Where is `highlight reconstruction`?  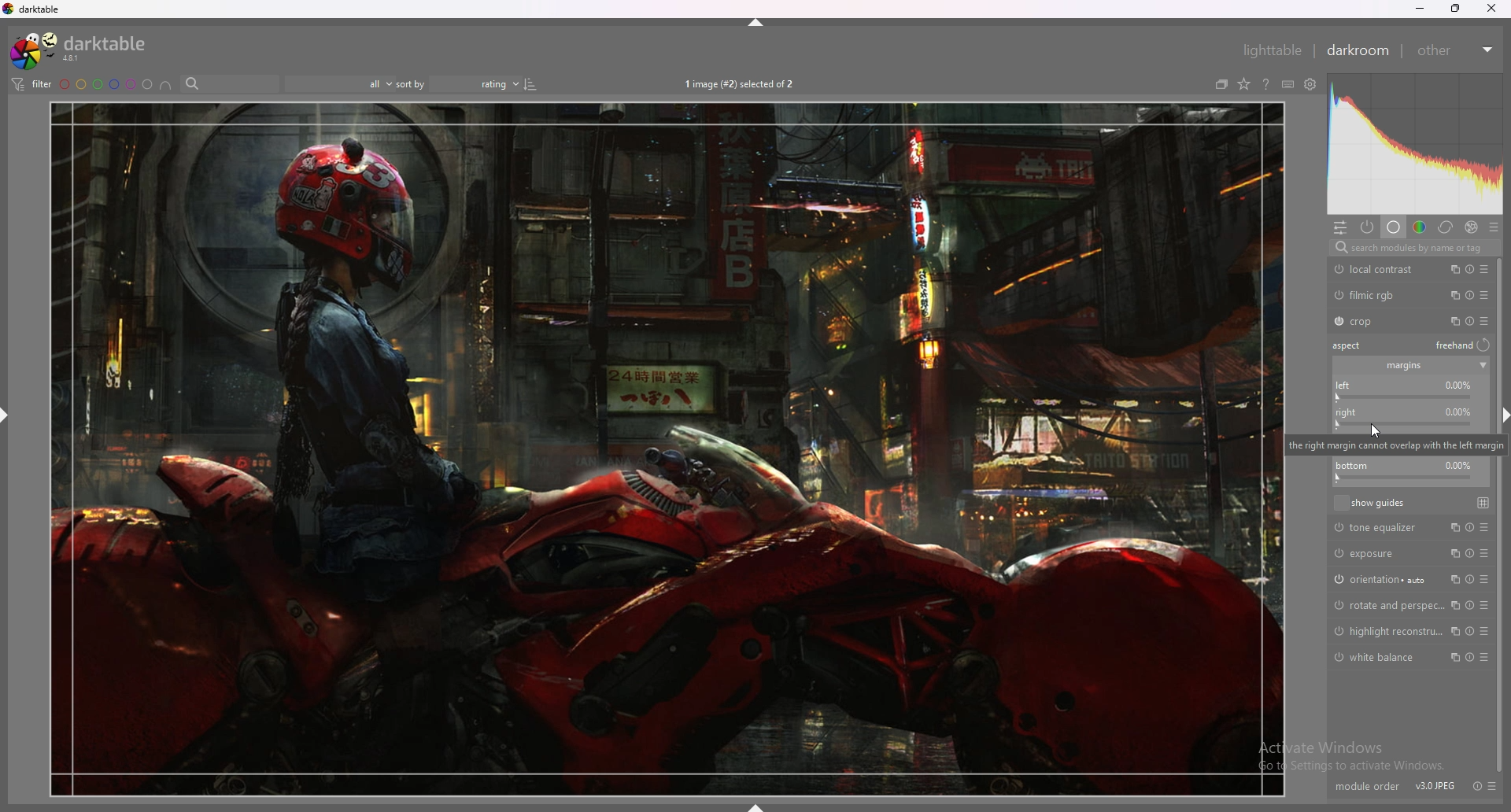 highlight reconstruction is located at coordinates (1387, 631).